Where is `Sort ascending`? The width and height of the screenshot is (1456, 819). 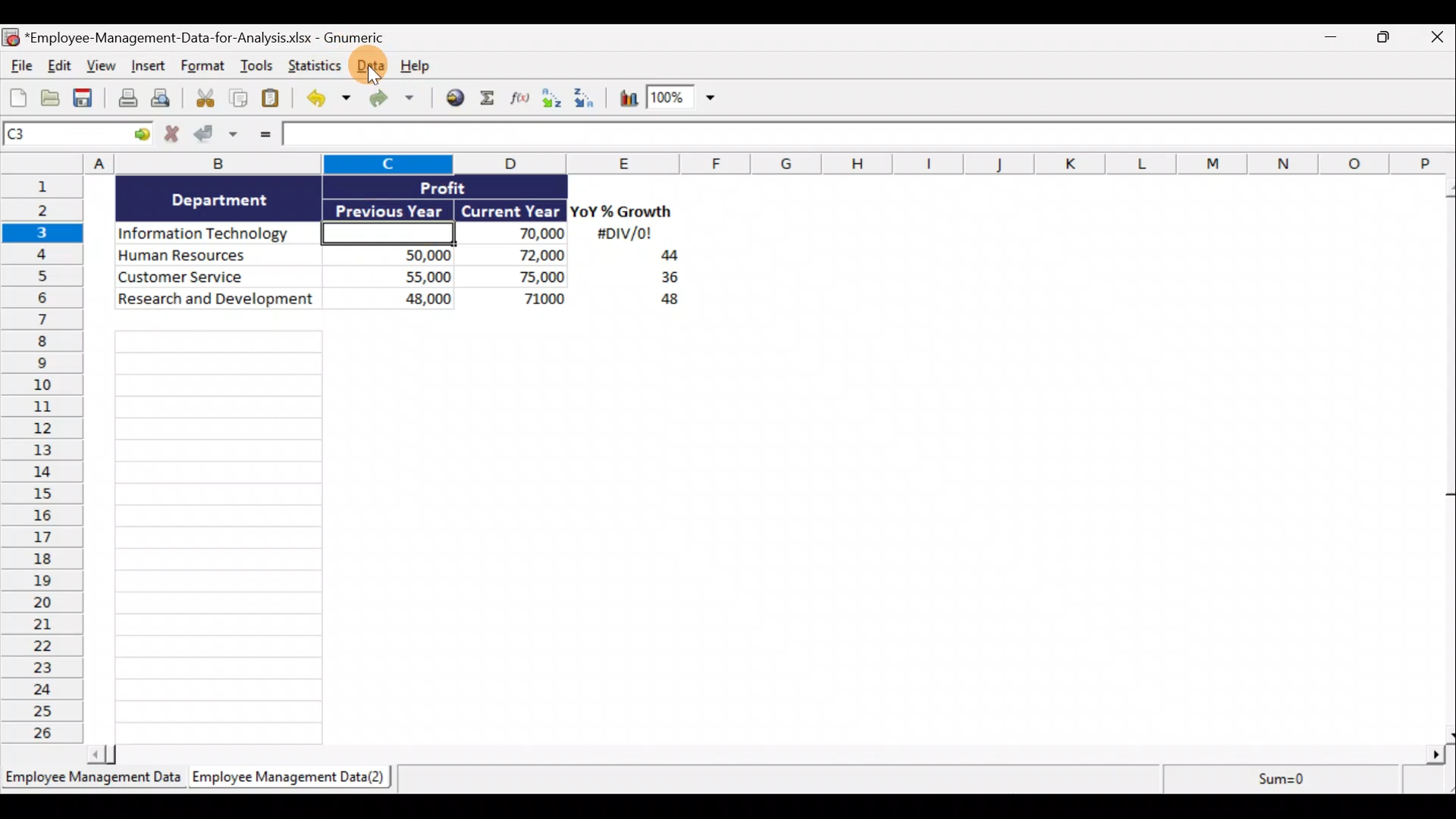 Sort ascending is located at coordinates (551, 98).